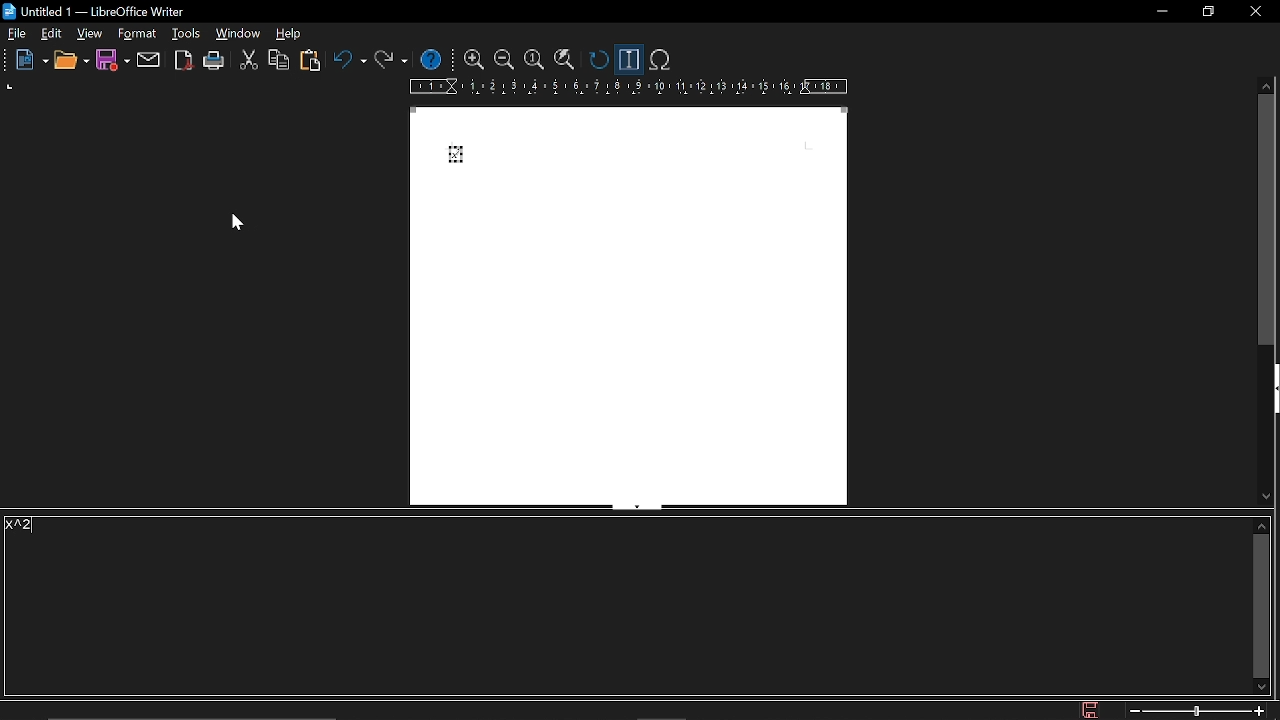 This screenshot has height=720, width=1280. Describe the element at coordinates (1262, 686) in the screenshot. I see `move down` at that location.